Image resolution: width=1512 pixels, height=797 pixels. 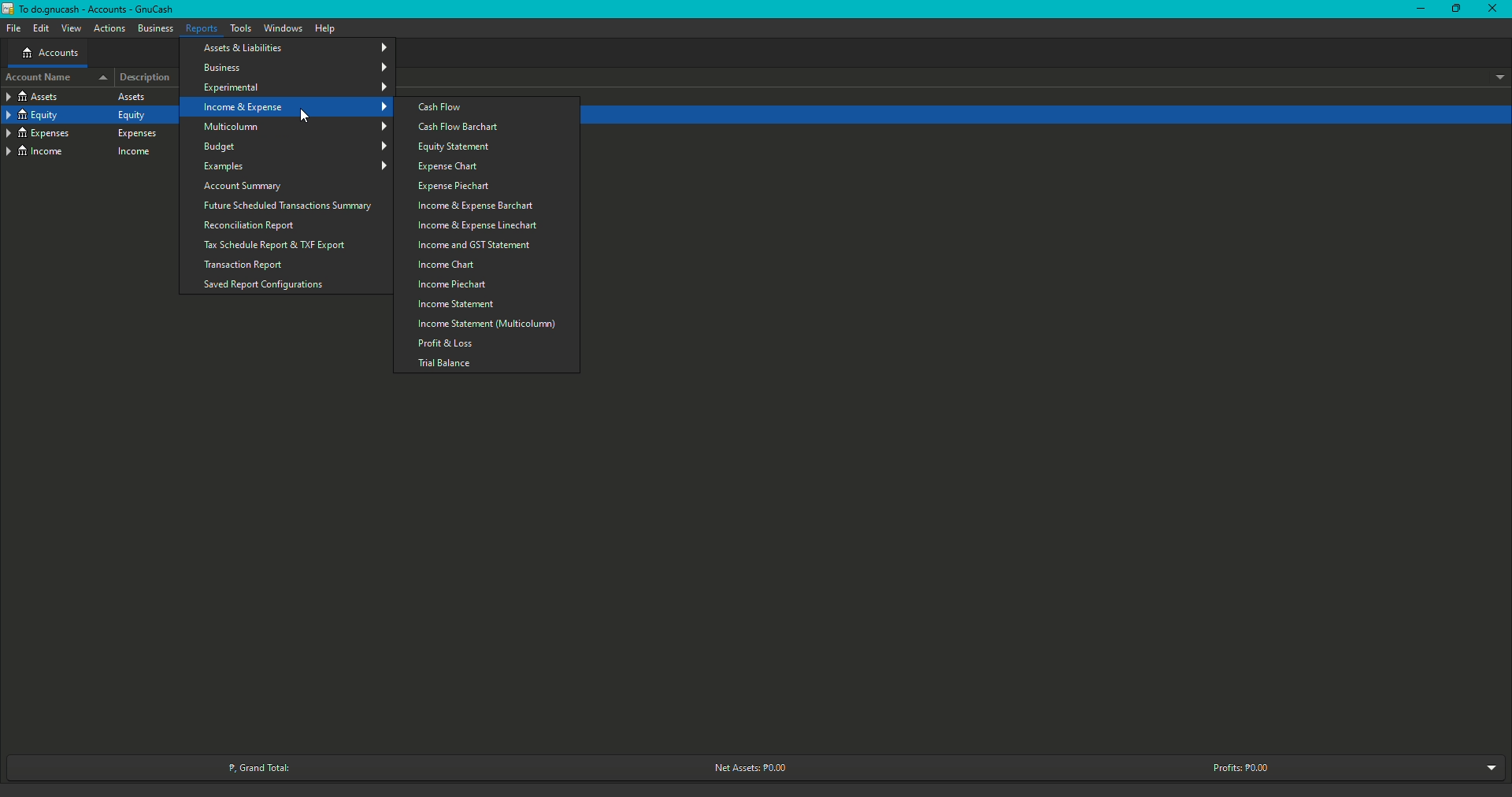 What do you see at coordinates (466, 128) in the screenshot?
I see `Cash Flow Barchart` at bounding box center [466, 128].